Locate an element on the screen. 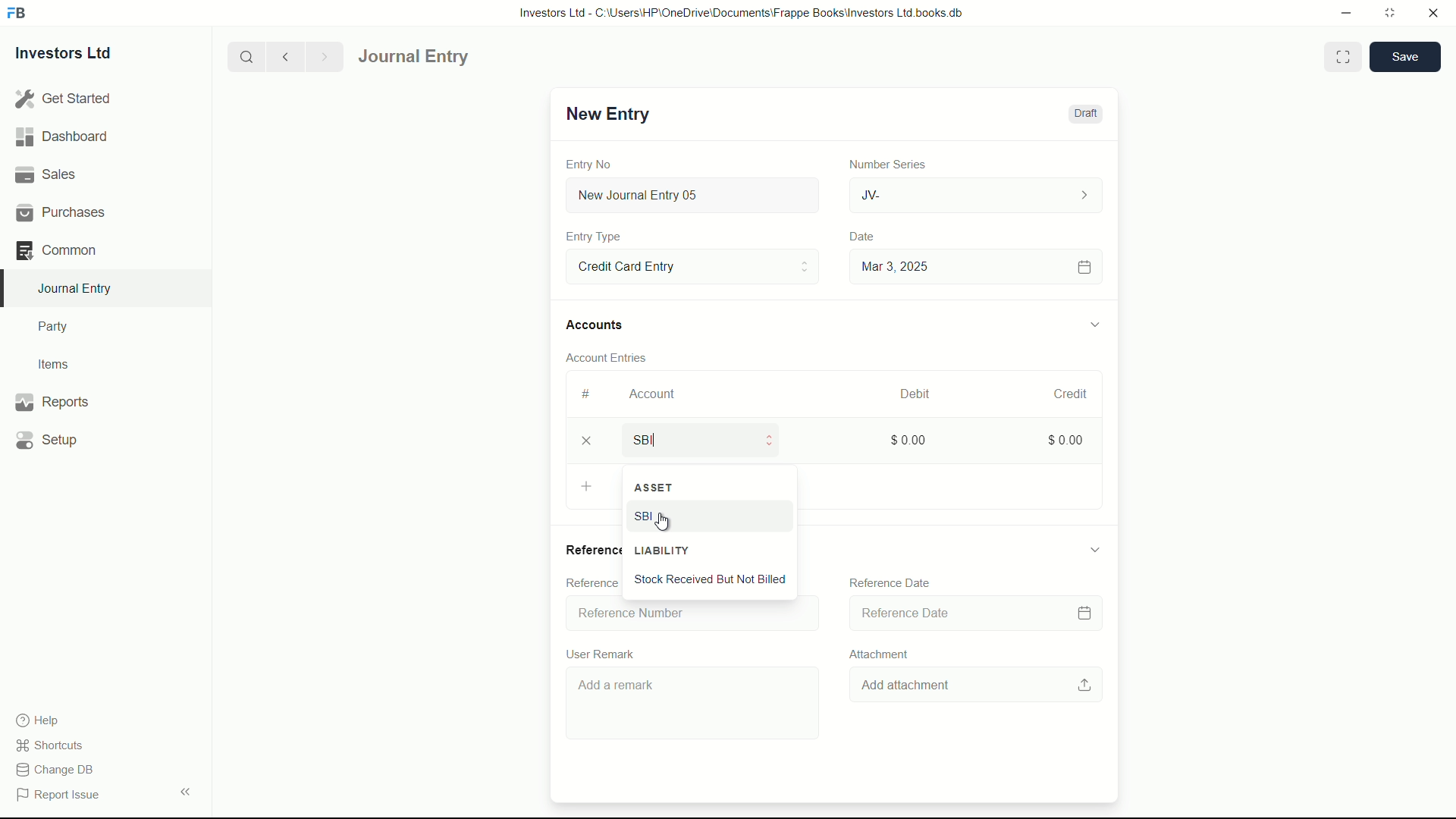  Reference Date is located at coordinates (974, 612).